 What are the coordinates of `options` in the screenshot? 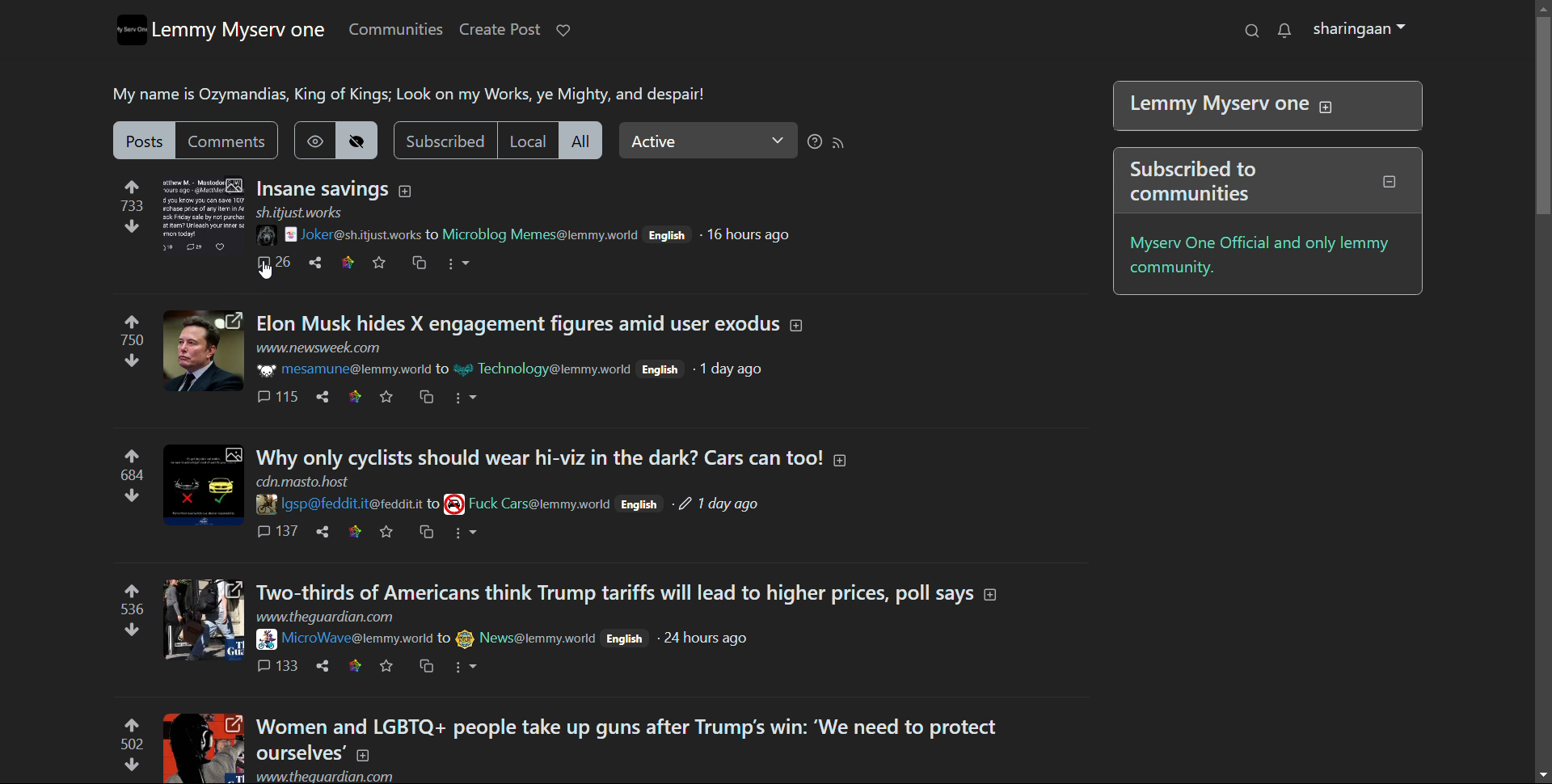 It's located at (467, 533).